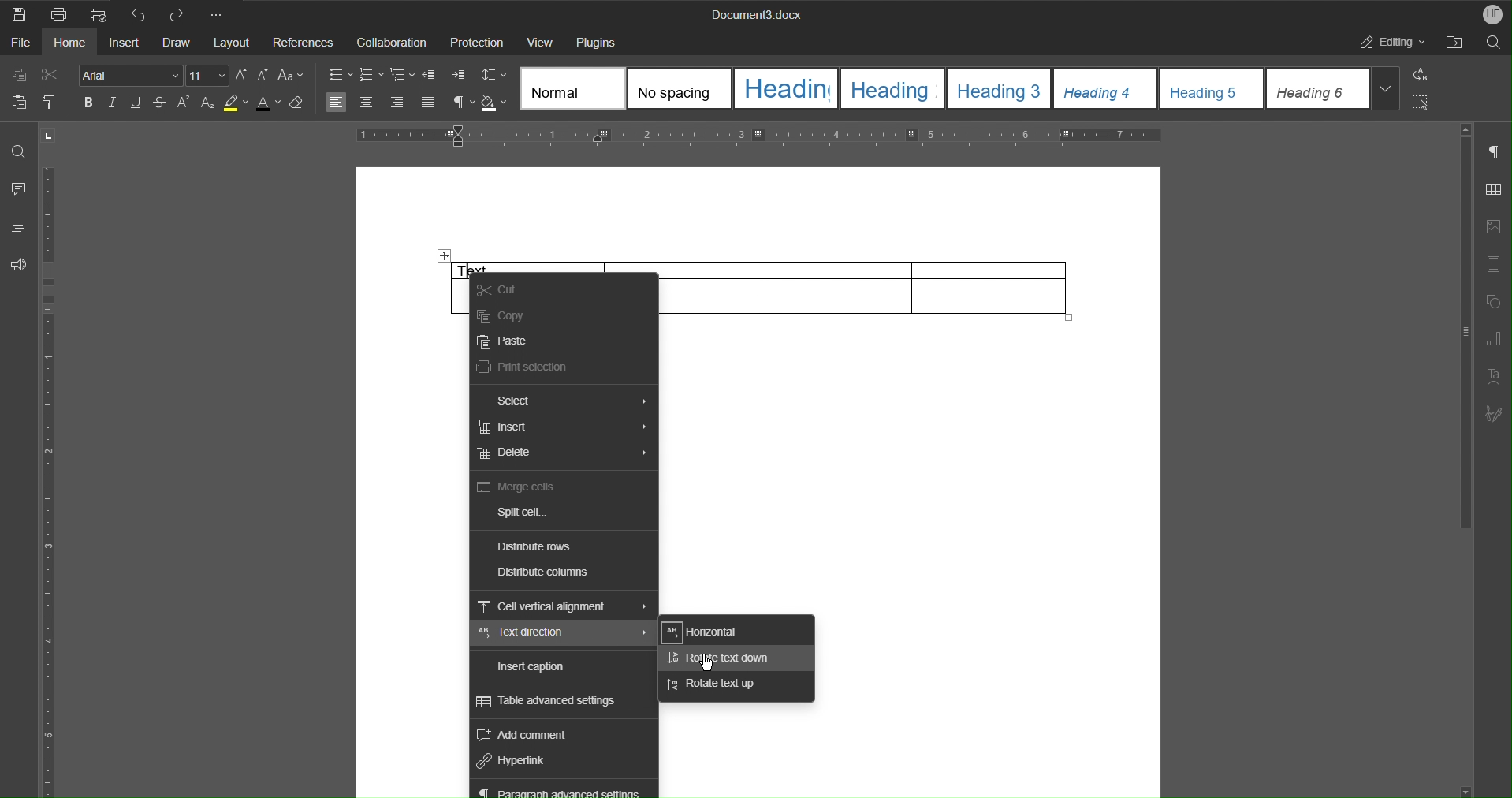  What do you see at coordinates (233, 42) in the screenshot?
I see `Layout` at bounding box center [233, 42].